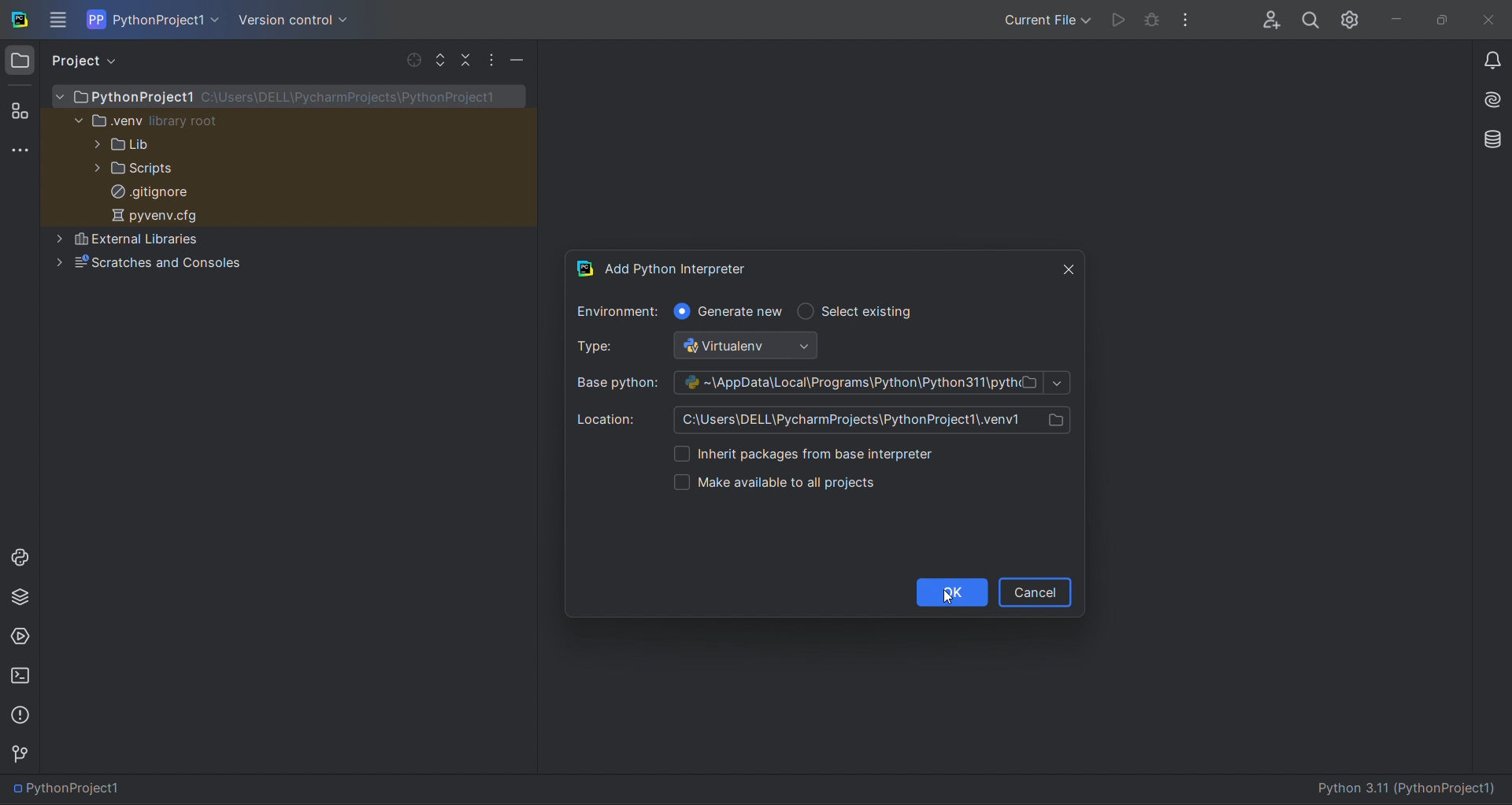 The image size is (1512, 805). What do you see at coordinates (23, 714) in the screenshot?
I see `probleems` at bounding box center [23, 714].